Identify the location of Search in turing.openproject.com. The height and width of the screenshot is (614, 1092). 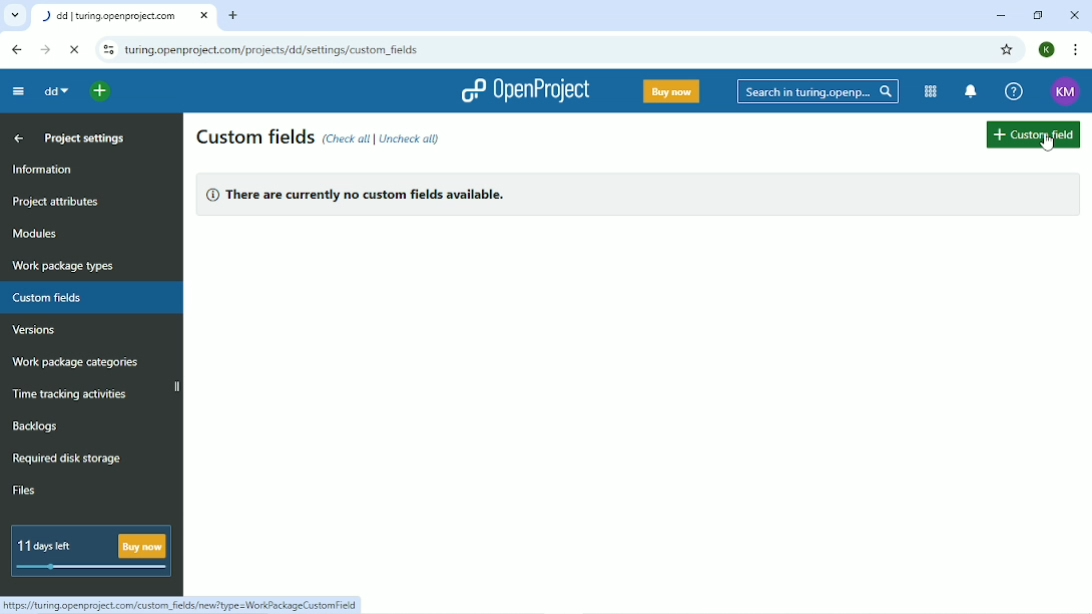
(816, 91).